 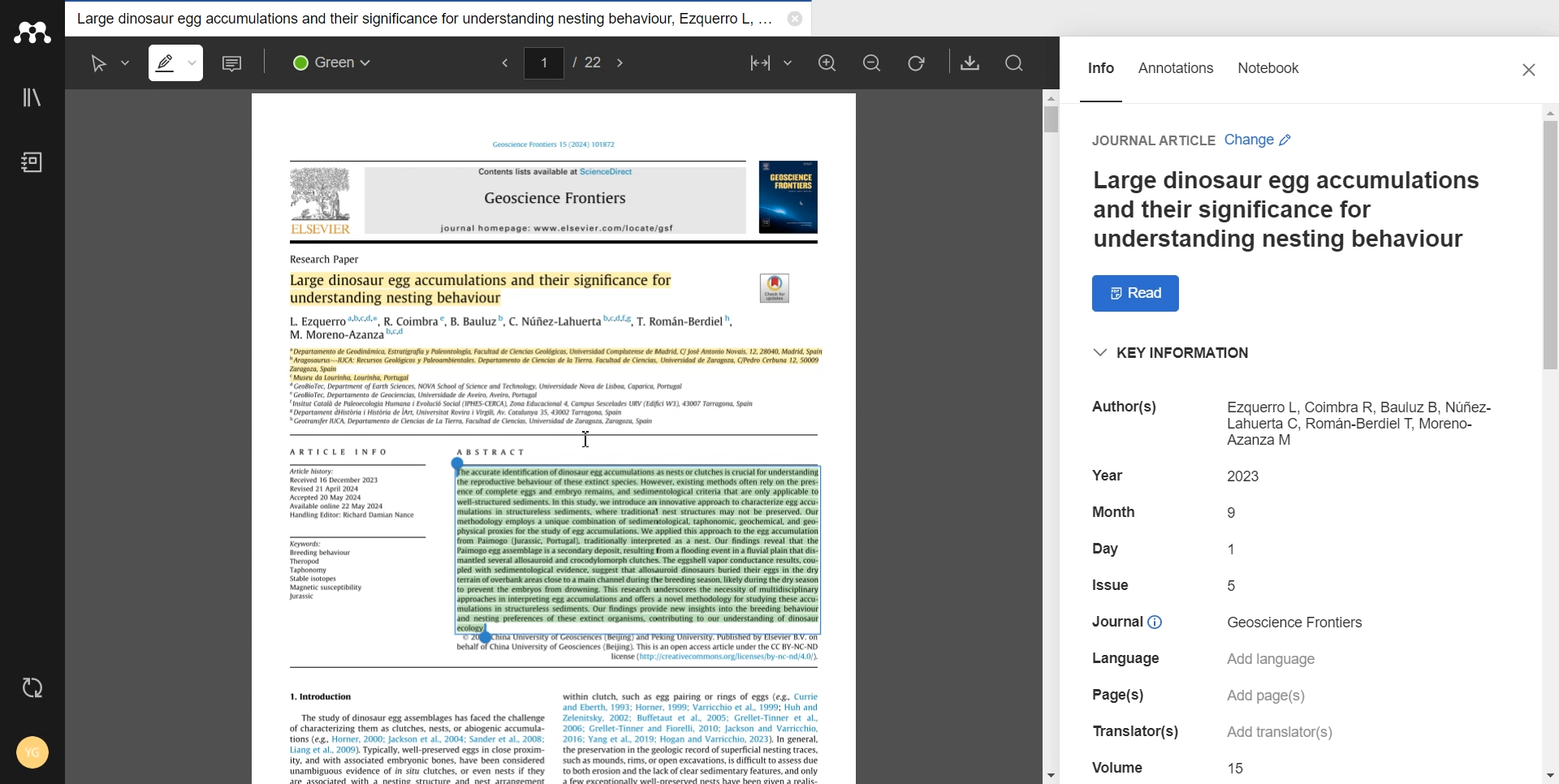 What do you see at coordinates (1276, 658) in the screenshot?
I see `text` at bounding box center [1276, 658].